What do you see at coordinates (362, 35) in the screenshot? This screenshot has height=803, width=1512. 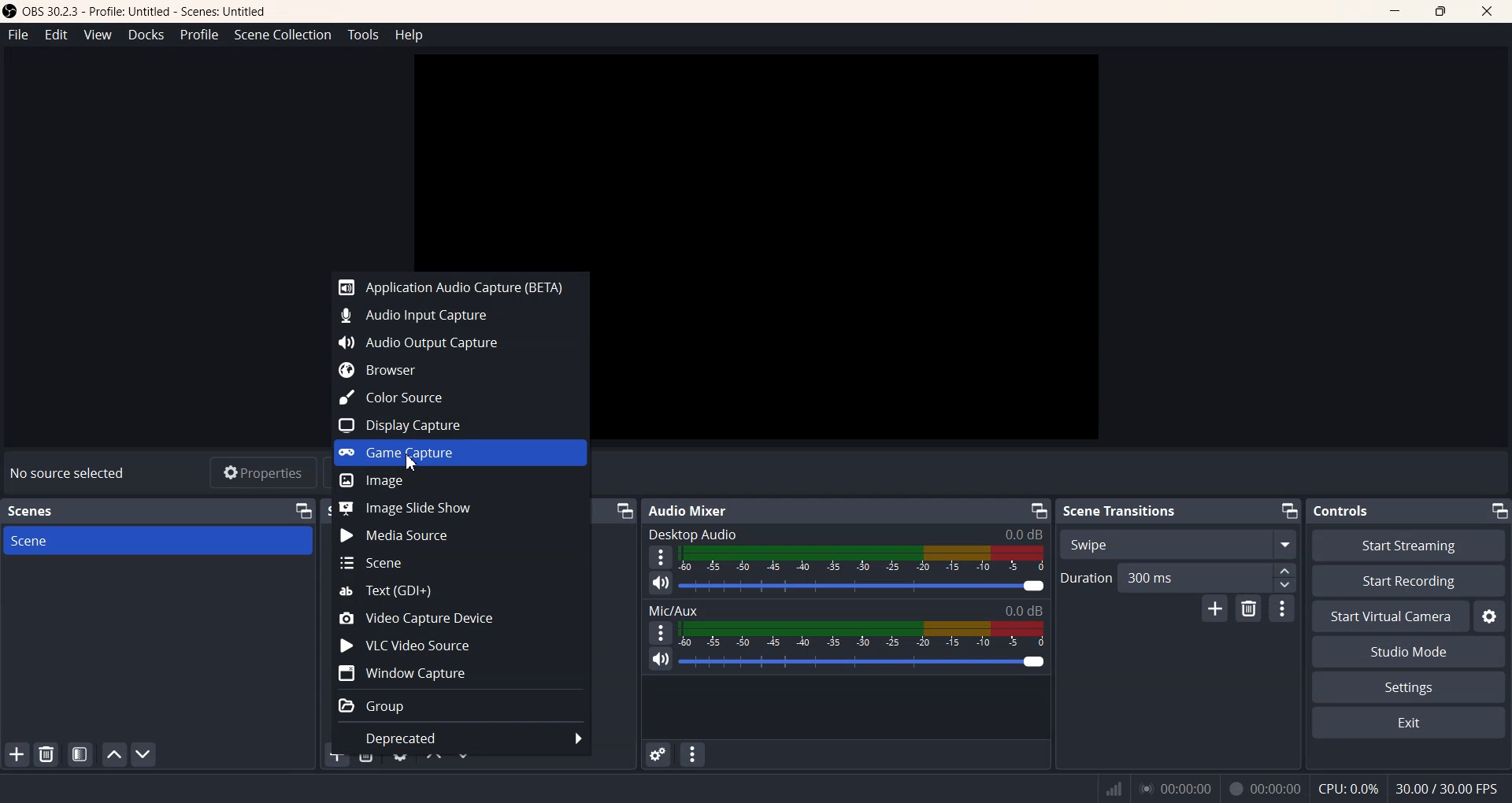 I see `Tools` at bounding box center [362, 35].